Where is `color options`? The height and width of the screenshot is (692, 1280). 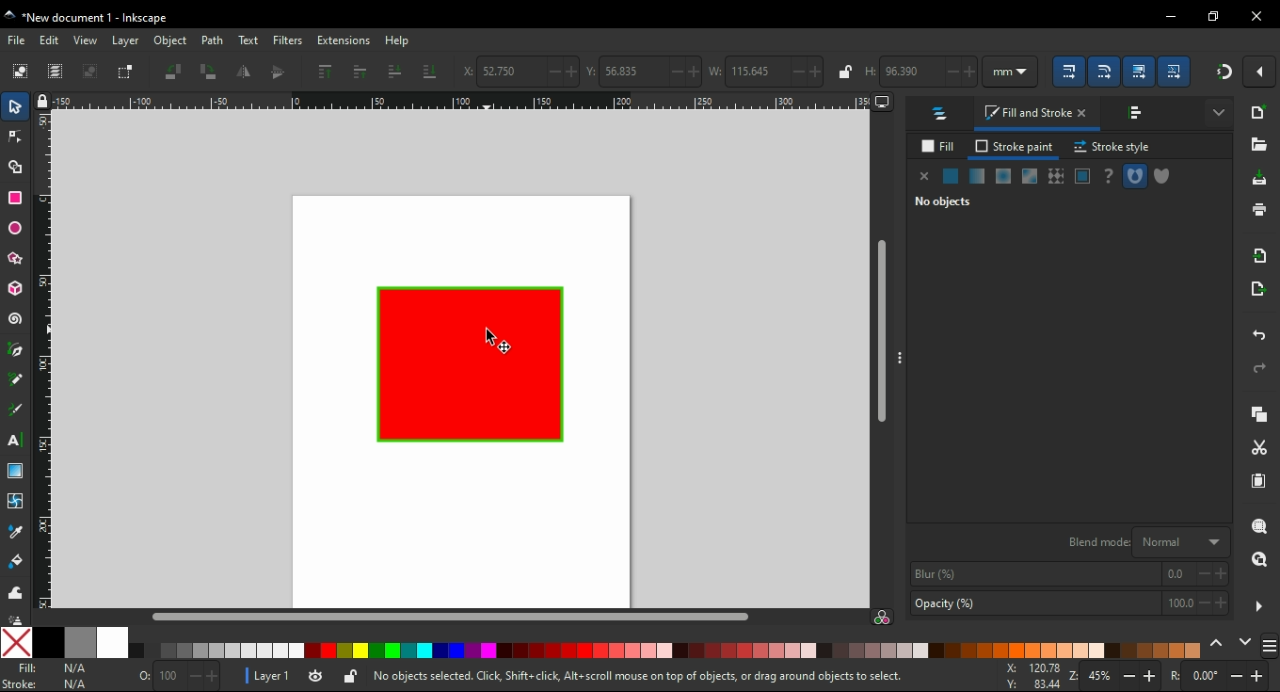
color options is located at coordinates (600, 643).